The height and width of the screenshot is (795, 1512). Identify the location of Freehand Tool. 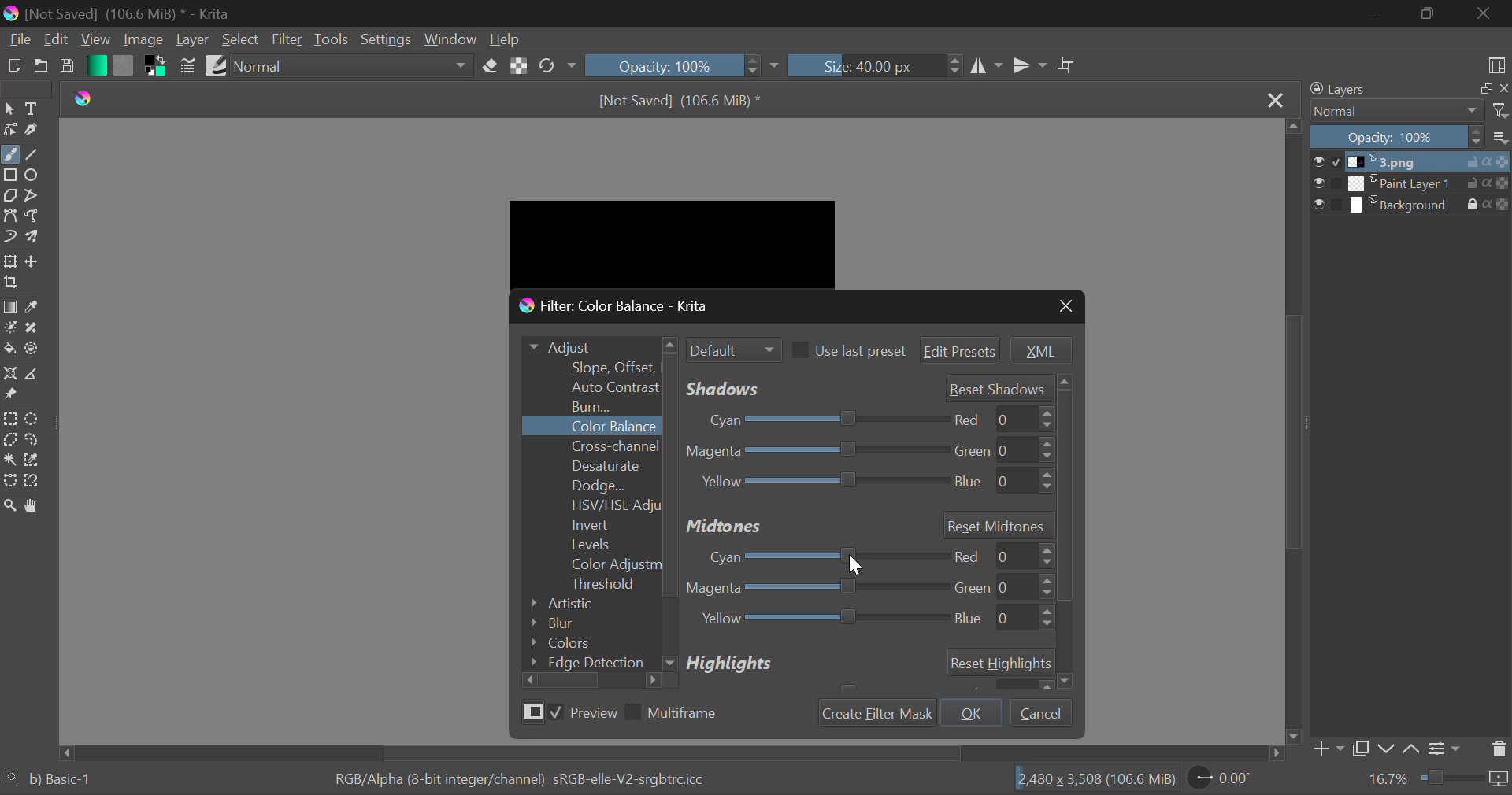
(9, 154).